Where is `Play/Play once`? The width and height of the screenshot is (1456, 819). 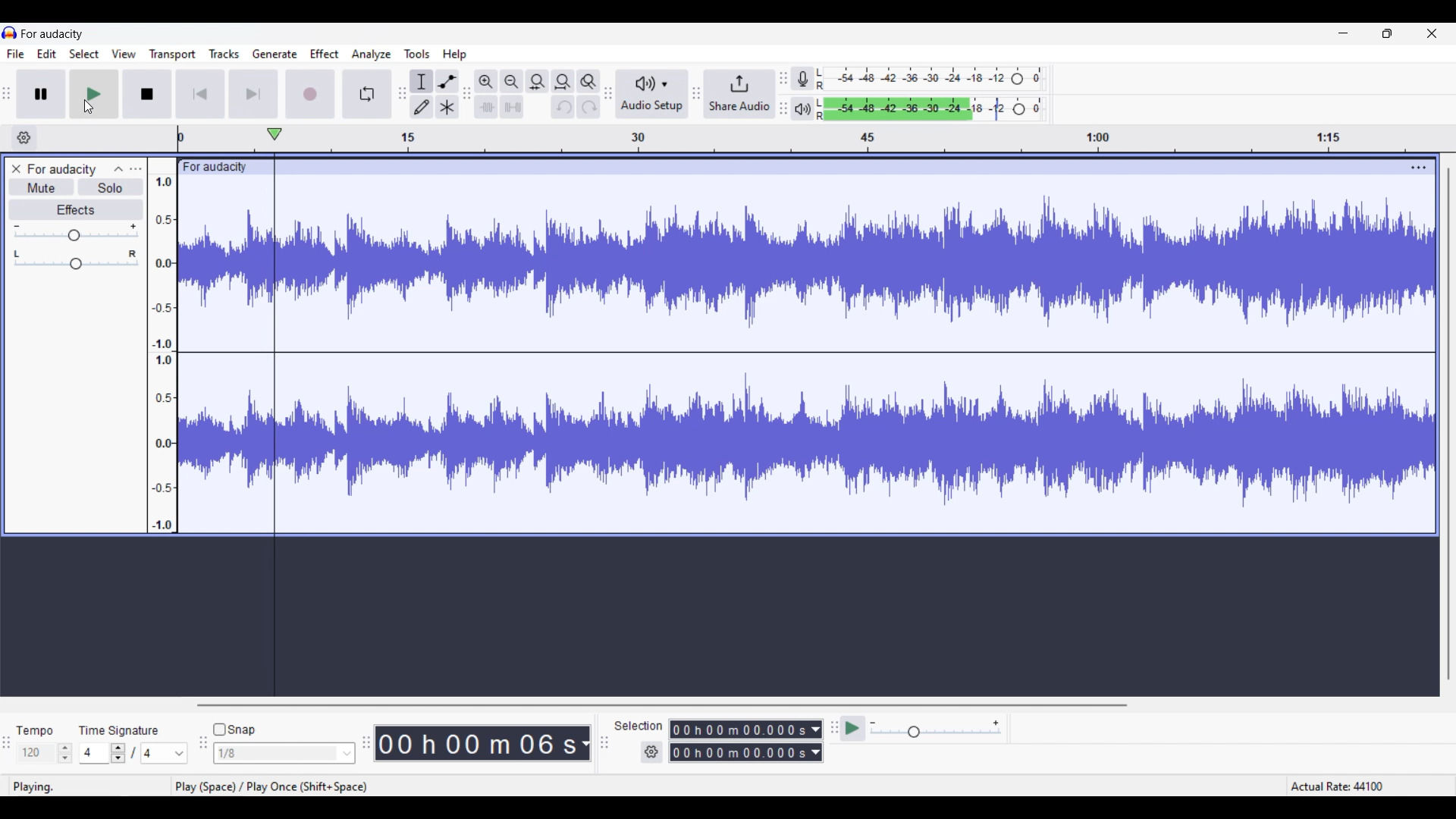 Play/Play once is located at coordinates (94, 94).